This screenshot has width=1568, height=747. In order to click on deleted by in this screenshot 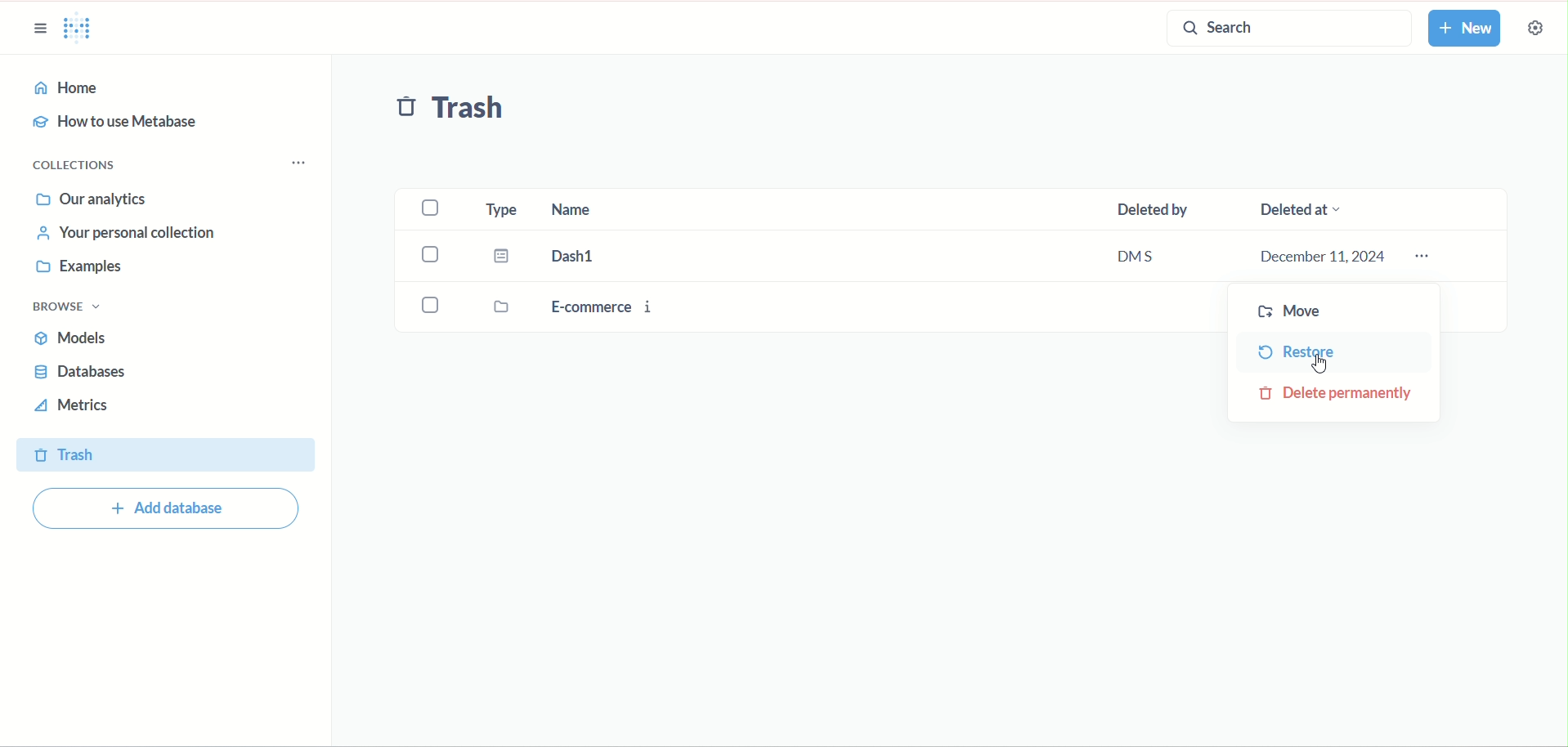, I will do `click(1162, 208)`.